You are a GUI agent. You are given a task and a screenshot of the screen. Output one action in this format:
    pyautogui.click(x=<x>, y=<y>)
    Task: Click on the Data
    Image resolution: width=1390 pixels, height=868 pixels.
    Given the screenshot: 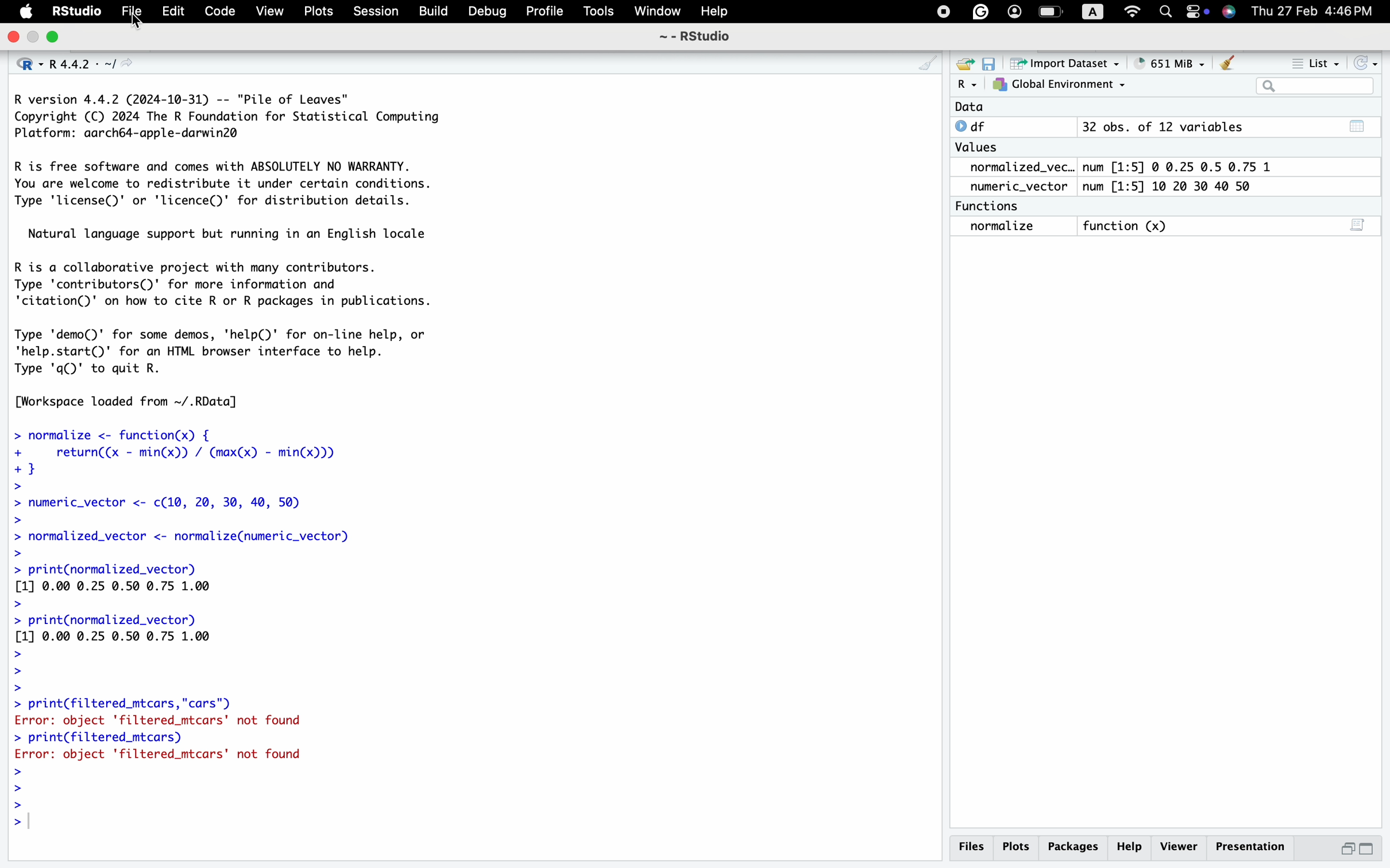 What is the action you would take?
    pyautogui.click(x=1082, y=107)
    